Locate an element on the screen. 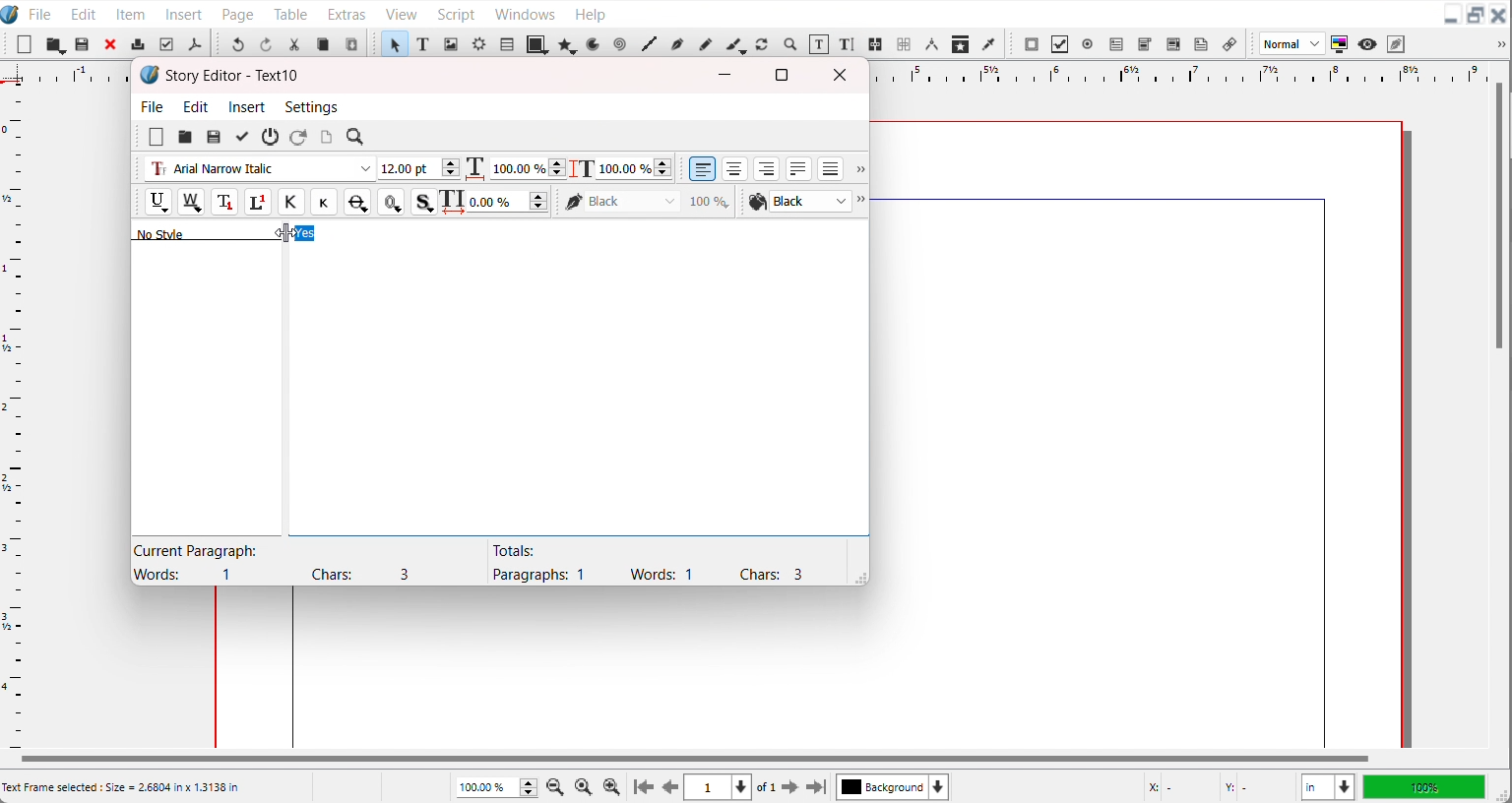  Black is located at coordinates (648, 201).